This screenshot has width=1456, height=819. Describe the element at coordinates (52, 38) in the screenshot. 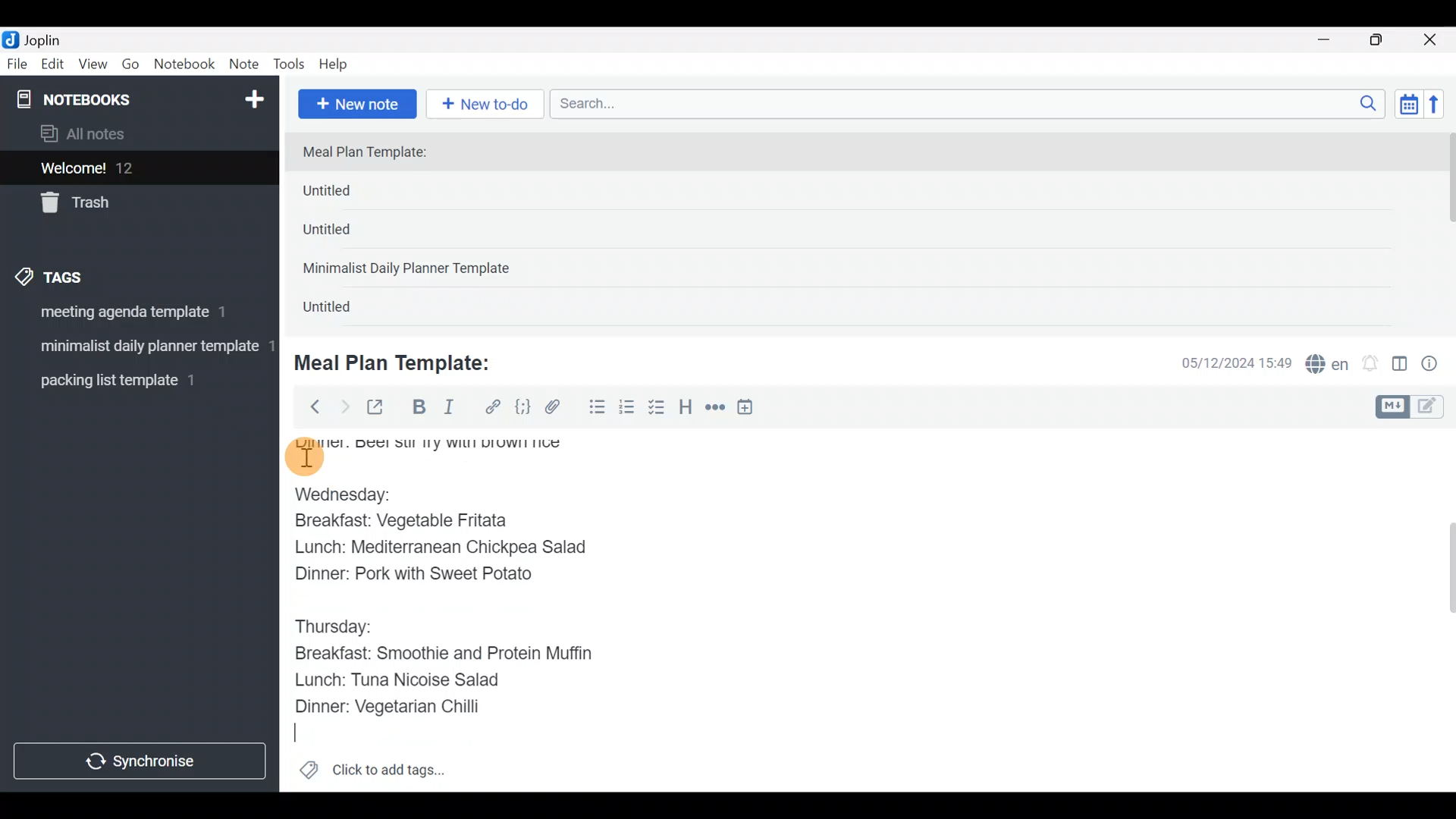

I see `Joplin` at that location.